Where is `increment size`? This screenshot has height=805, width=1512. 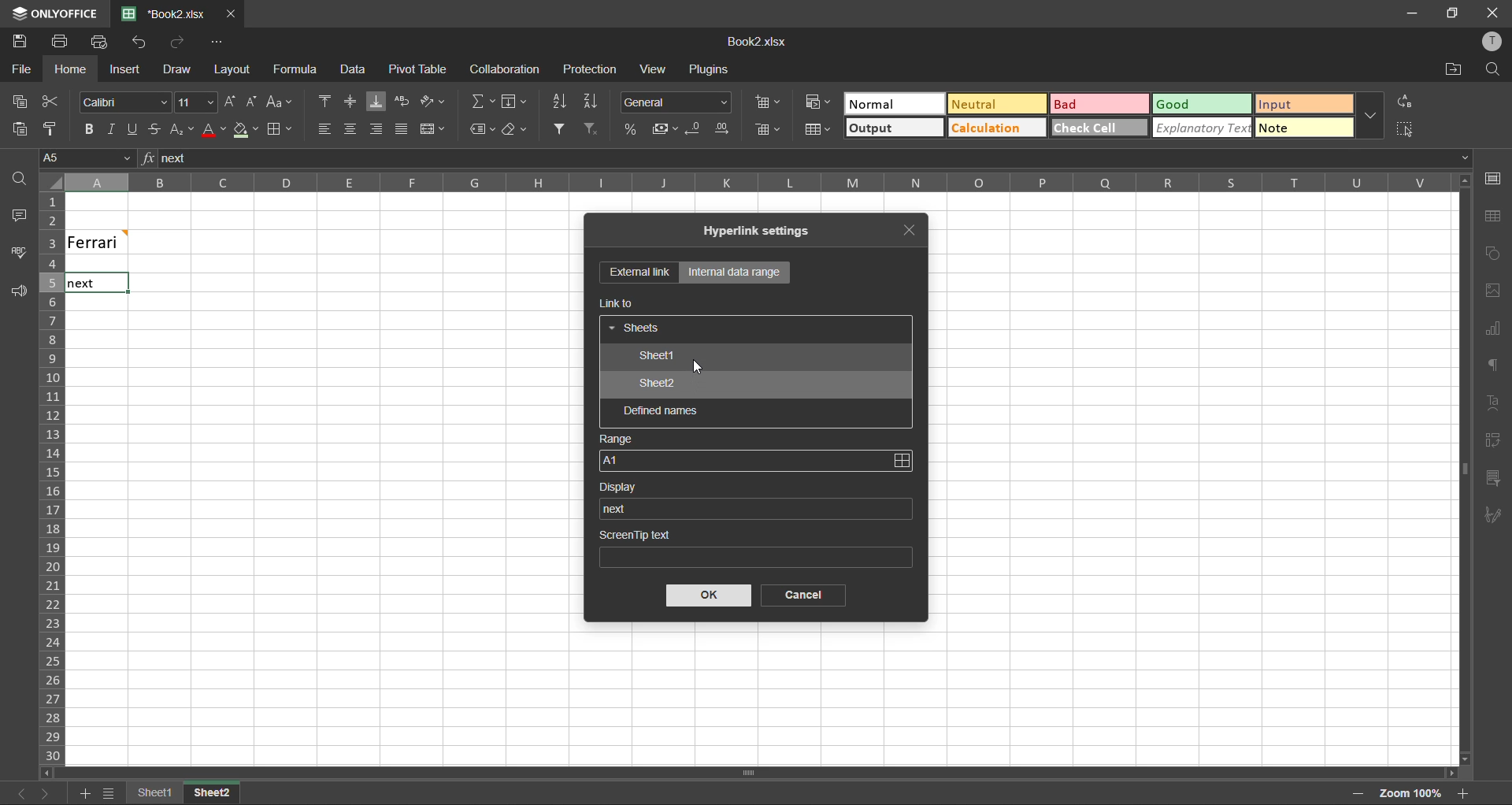 increment size is located at coordinates (229, 102).